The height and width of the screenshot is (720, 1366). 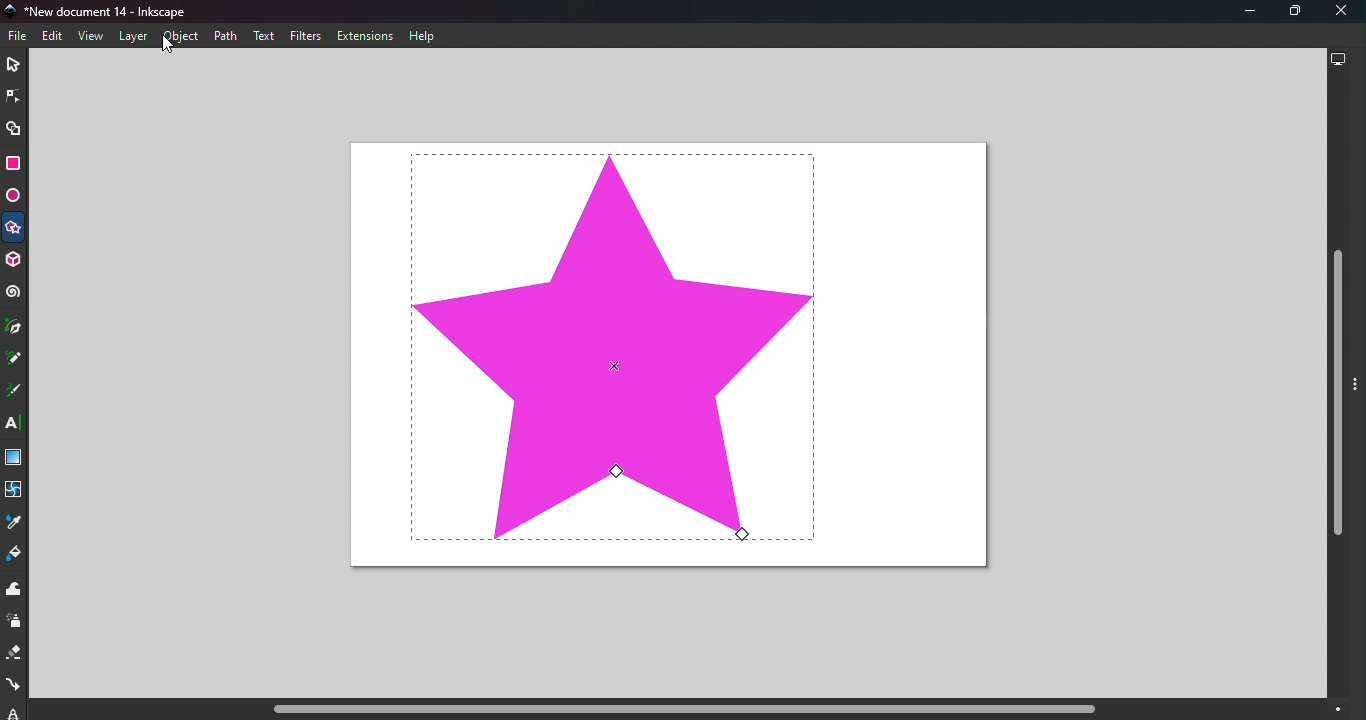 I want to click on Mesh tool, so click(x=16, y=495).